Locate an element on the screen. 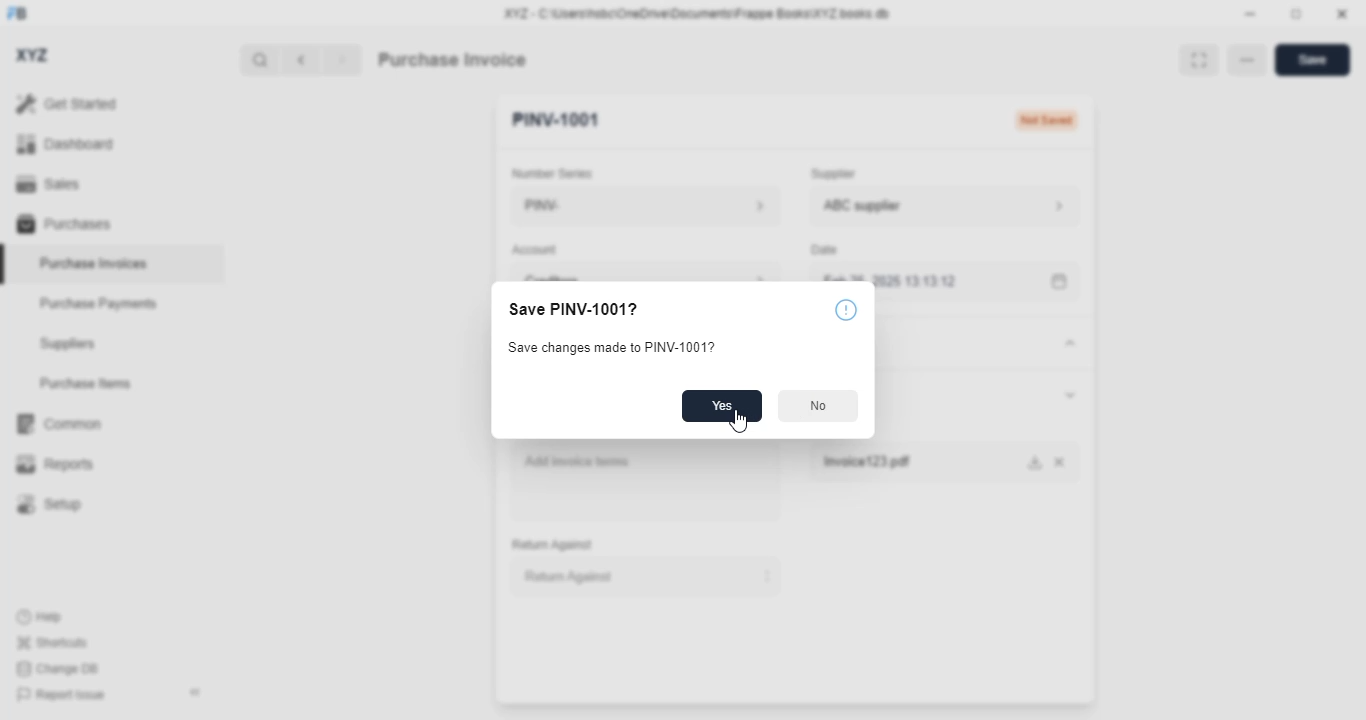  add invoice items is located at coordinates (644, 481).